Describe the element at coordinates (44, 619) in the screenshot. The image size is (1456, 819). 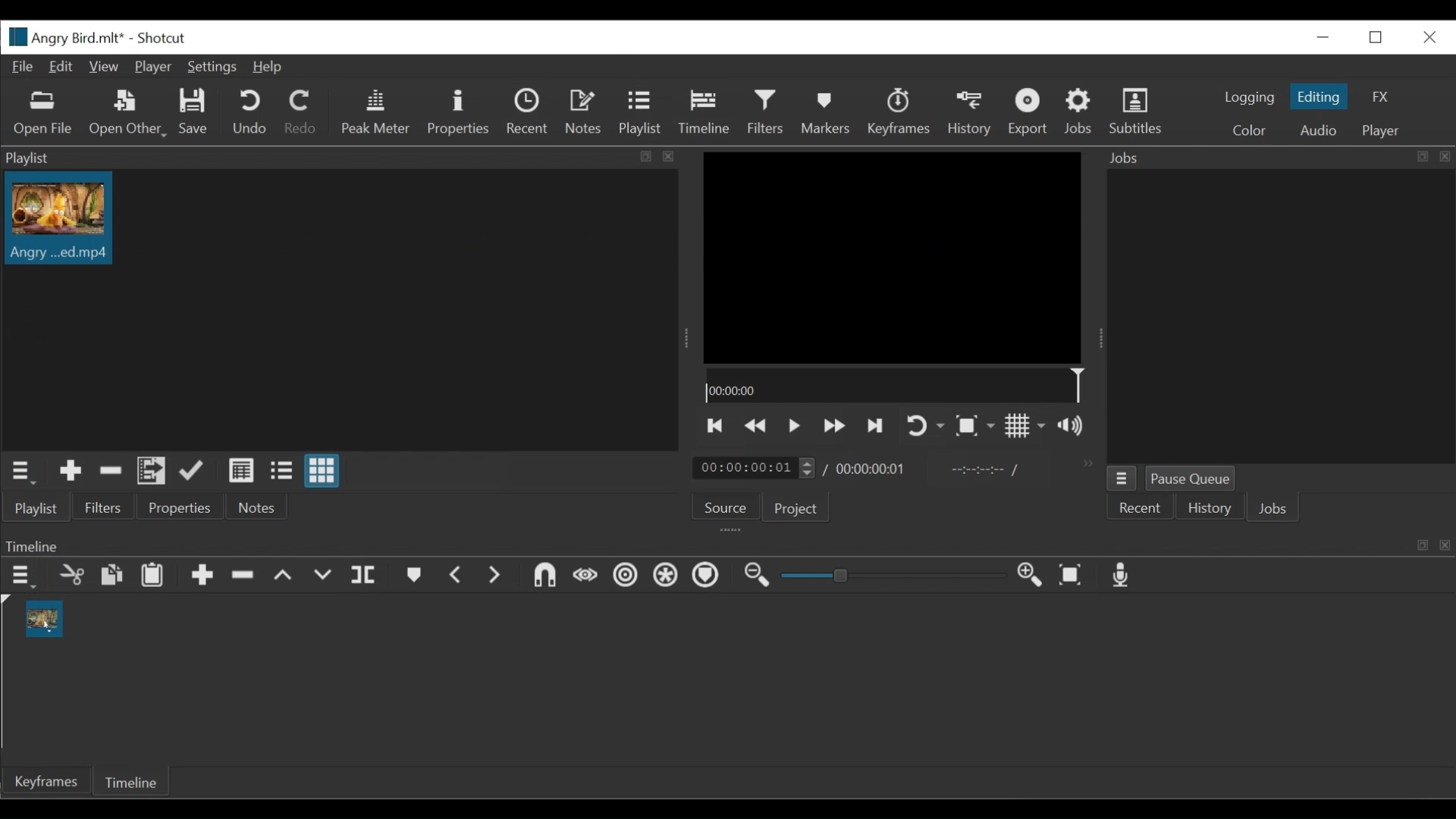
I see `Clip` at that location.